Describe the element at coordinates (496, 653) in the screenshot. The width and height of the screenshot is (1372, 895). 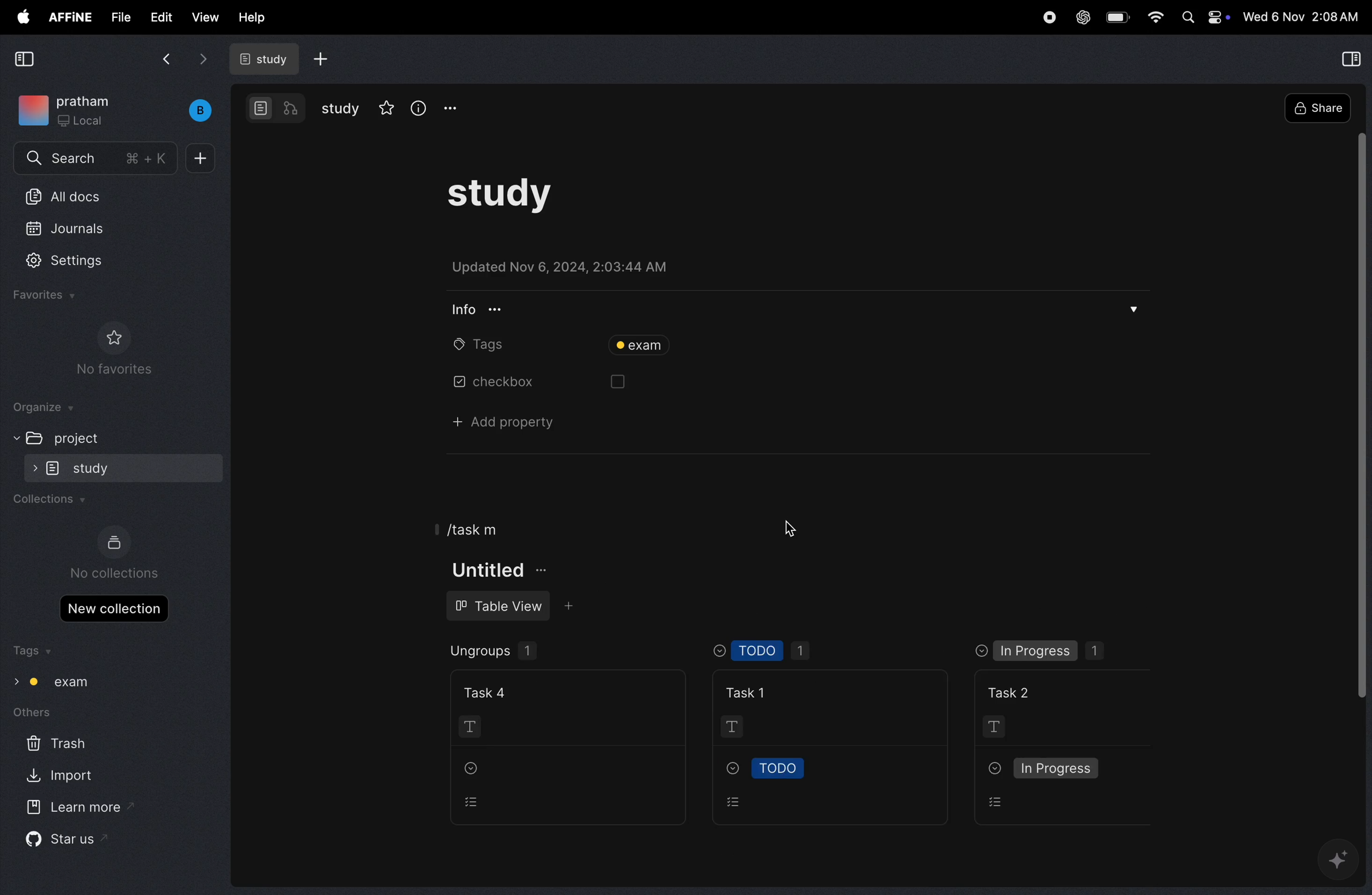
I see `ungroups` at that location.